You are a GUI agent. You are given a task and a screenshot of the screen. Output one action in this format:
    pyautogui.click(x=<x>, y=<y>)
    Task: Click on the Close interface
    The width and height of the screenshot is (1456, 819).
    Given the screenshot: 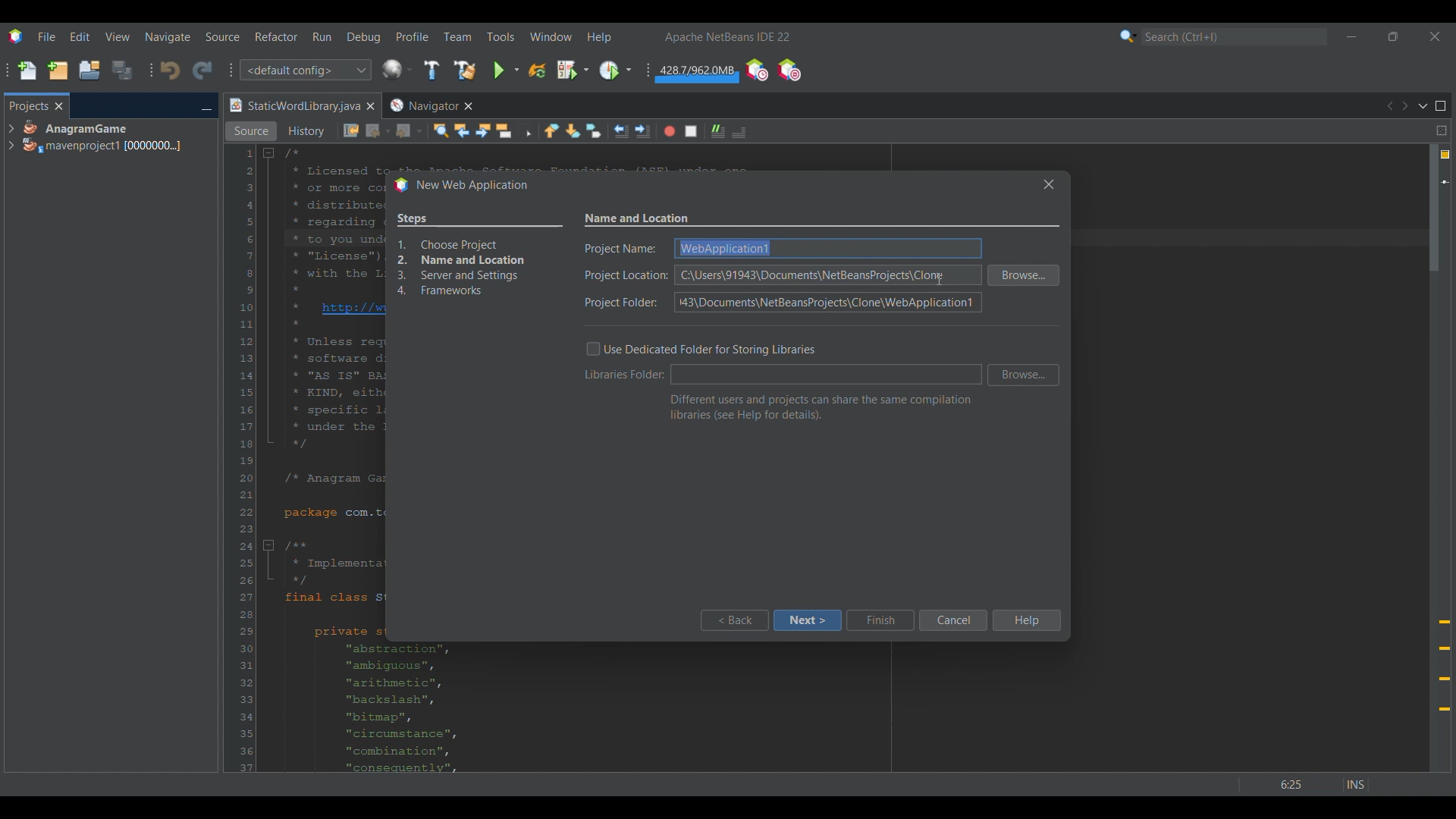 What is the action you would take?
    pyautogui.click(x=1435, y=36)
    